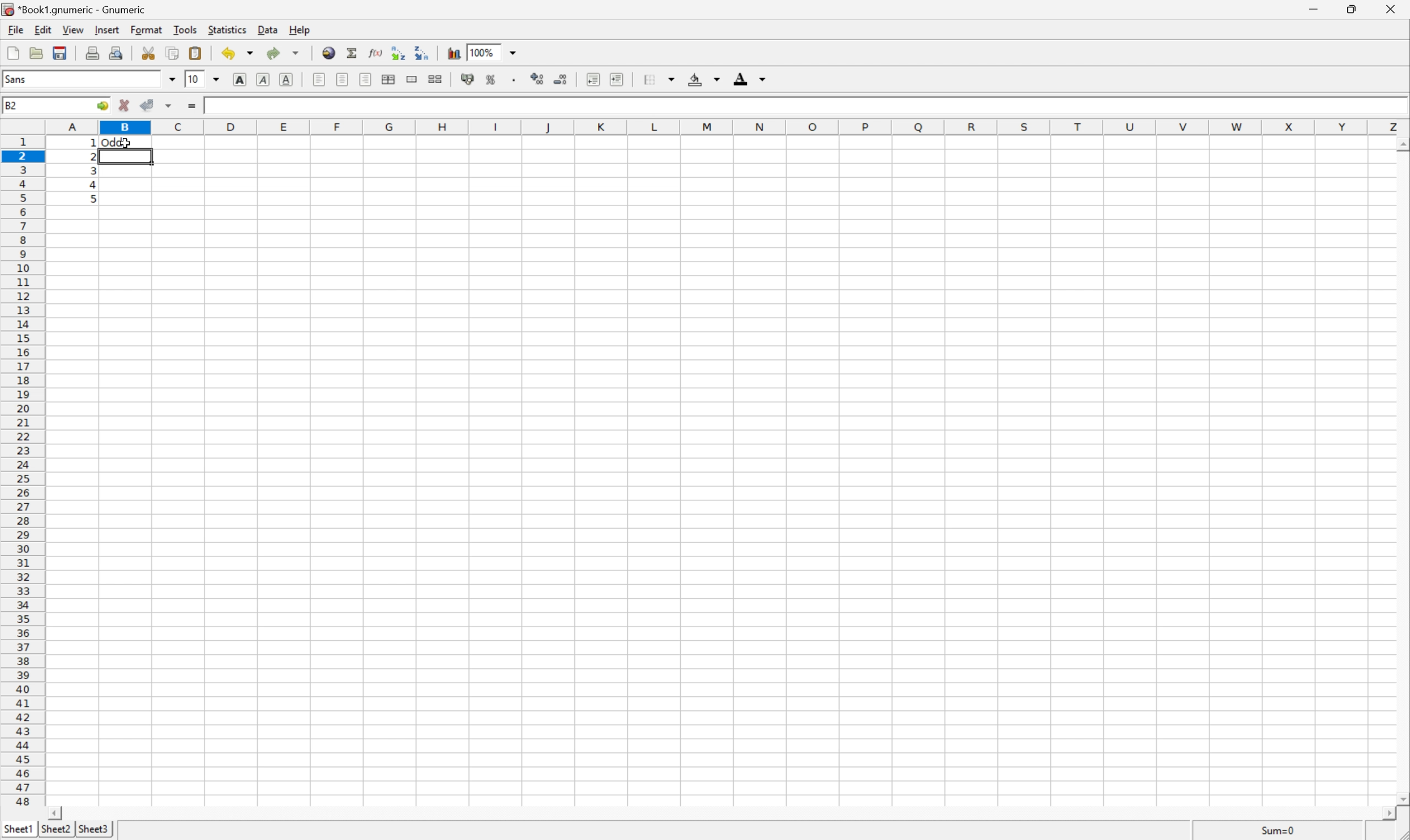  What do you see at coordinates (239, 53) in the screenshot?
I see `Undo` at bounding box center [239, 53].